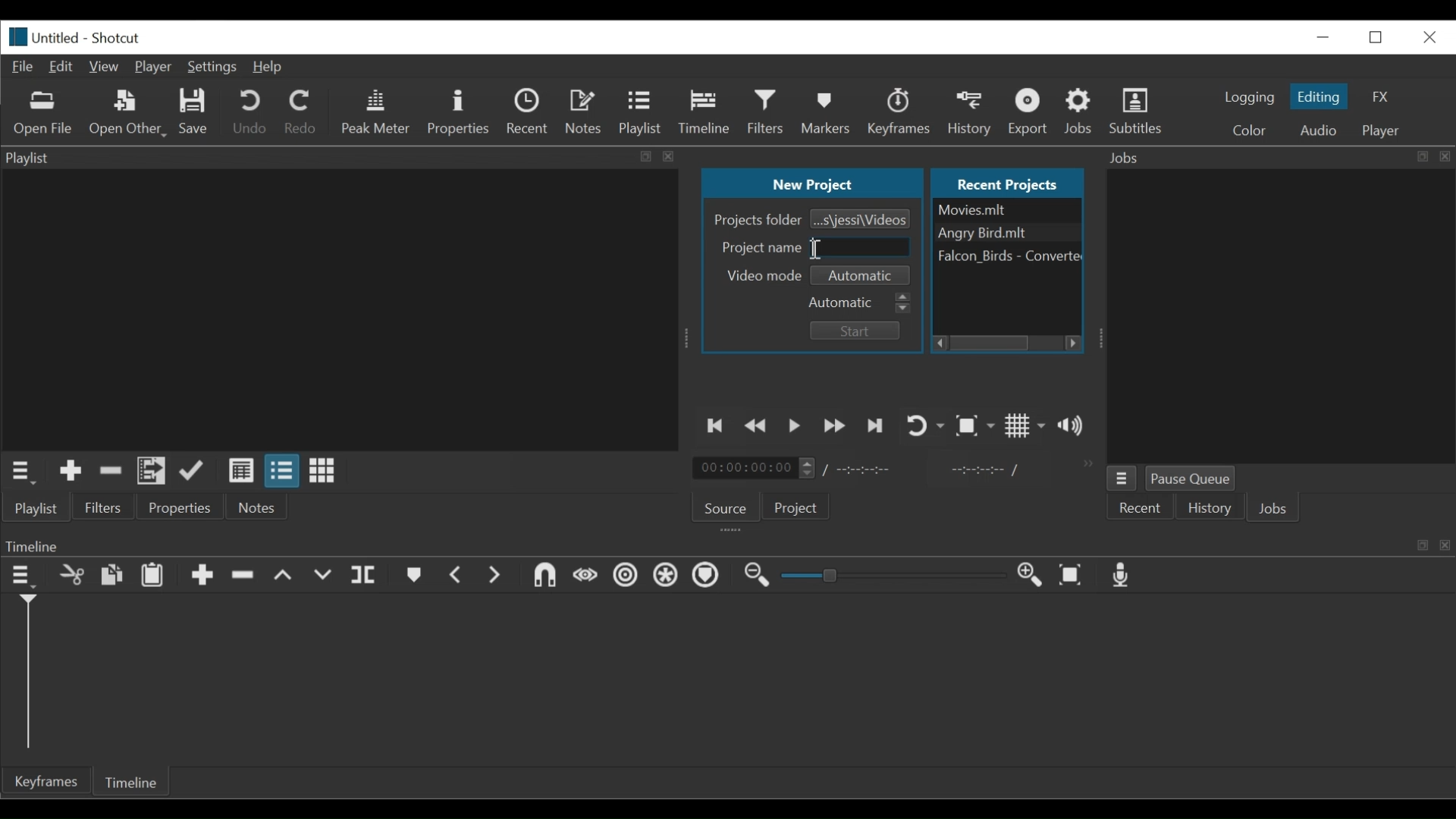 This screenshot has width=1456, height=819. What do you see at coordinates (858, 330) in the screenshot?
I see `Start` at bounding box center [858, 330].